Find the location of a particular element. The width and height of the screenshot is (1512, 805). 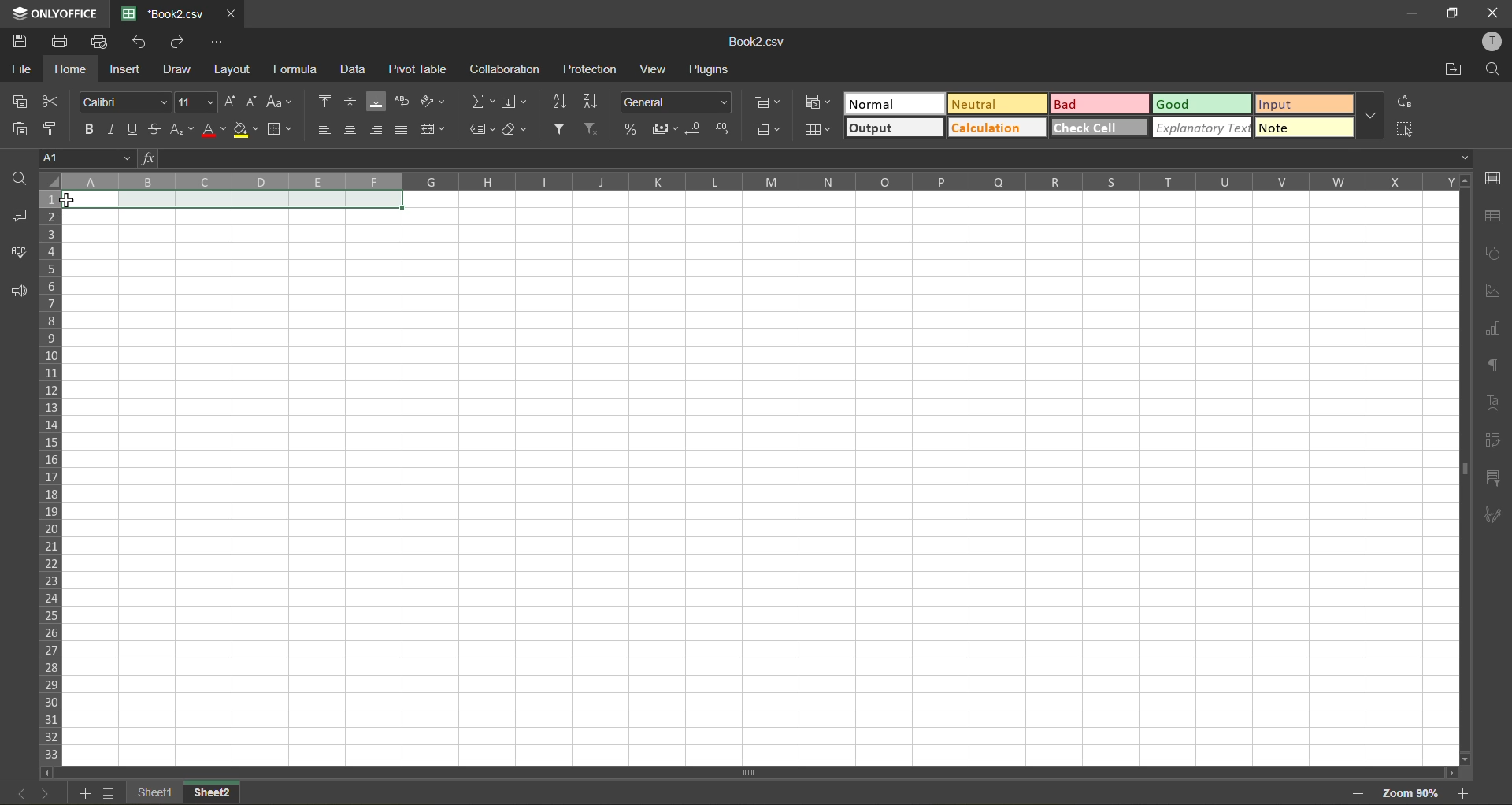

save is located at coordinates (20, 40).